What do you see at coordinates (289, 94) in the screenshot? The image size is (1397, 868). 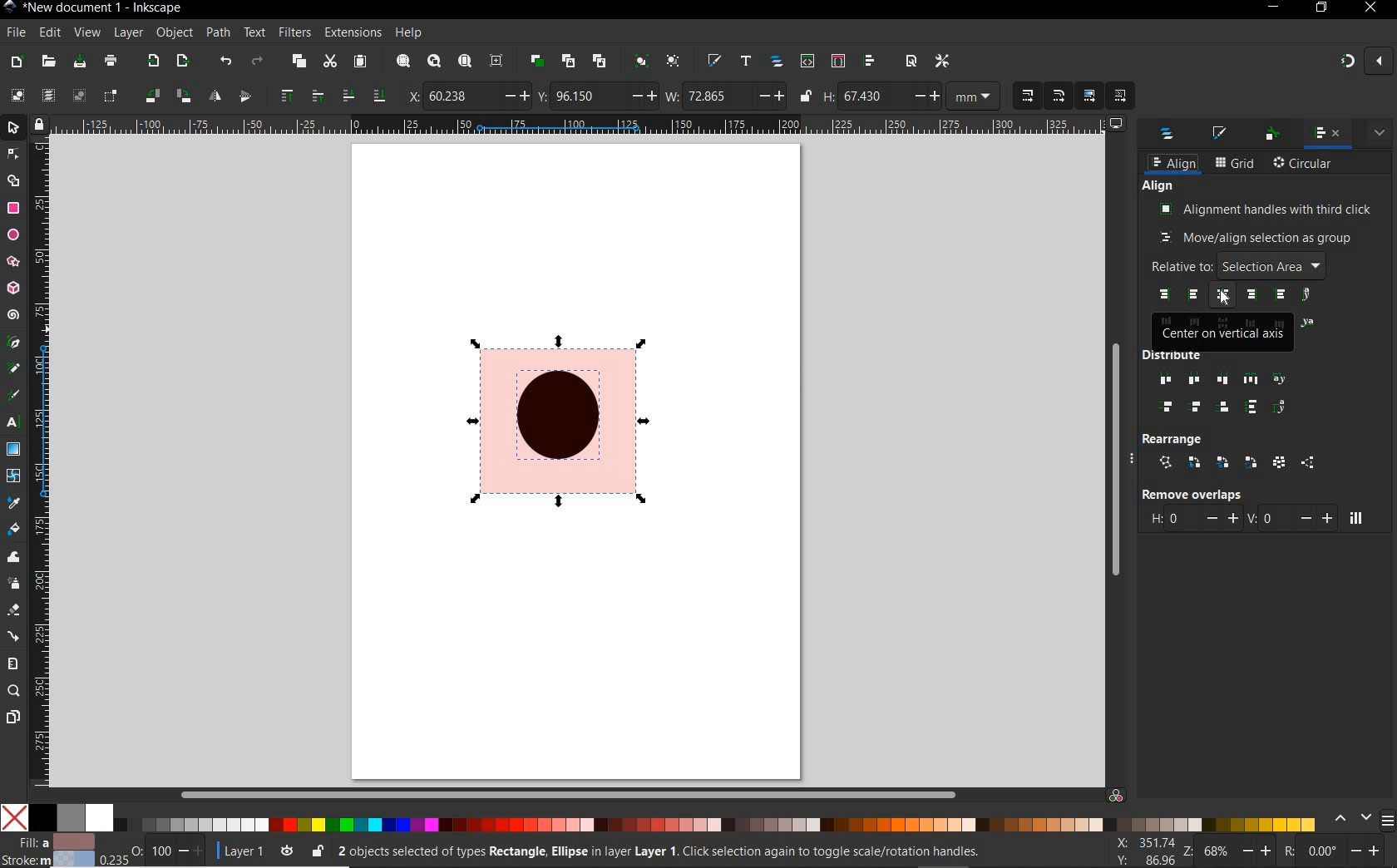 I see `raise to top` at bounding box center [289, 94].